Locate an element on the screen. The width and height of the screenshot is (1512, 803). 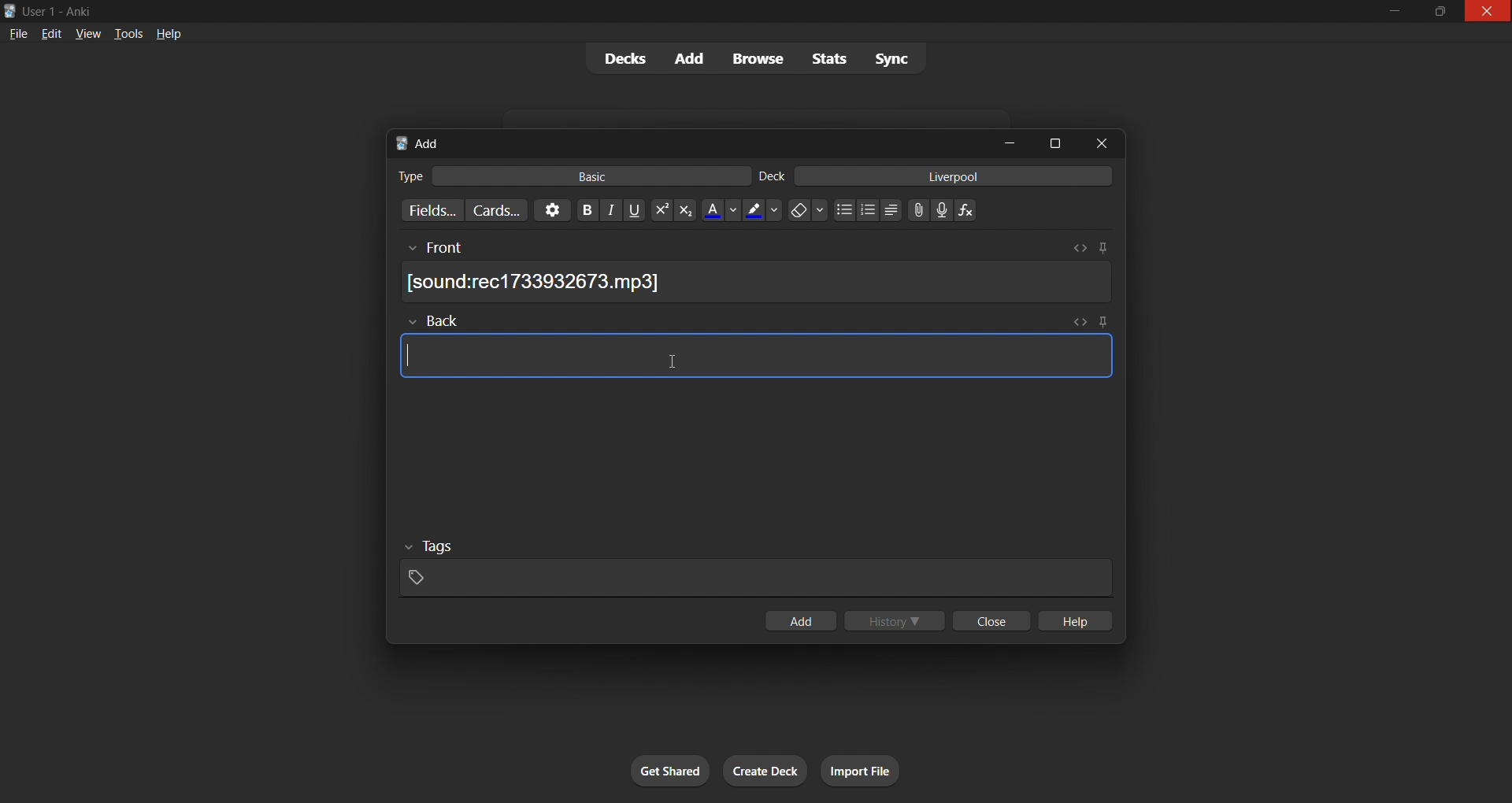
font highlight is located at coordinates (762, 211).